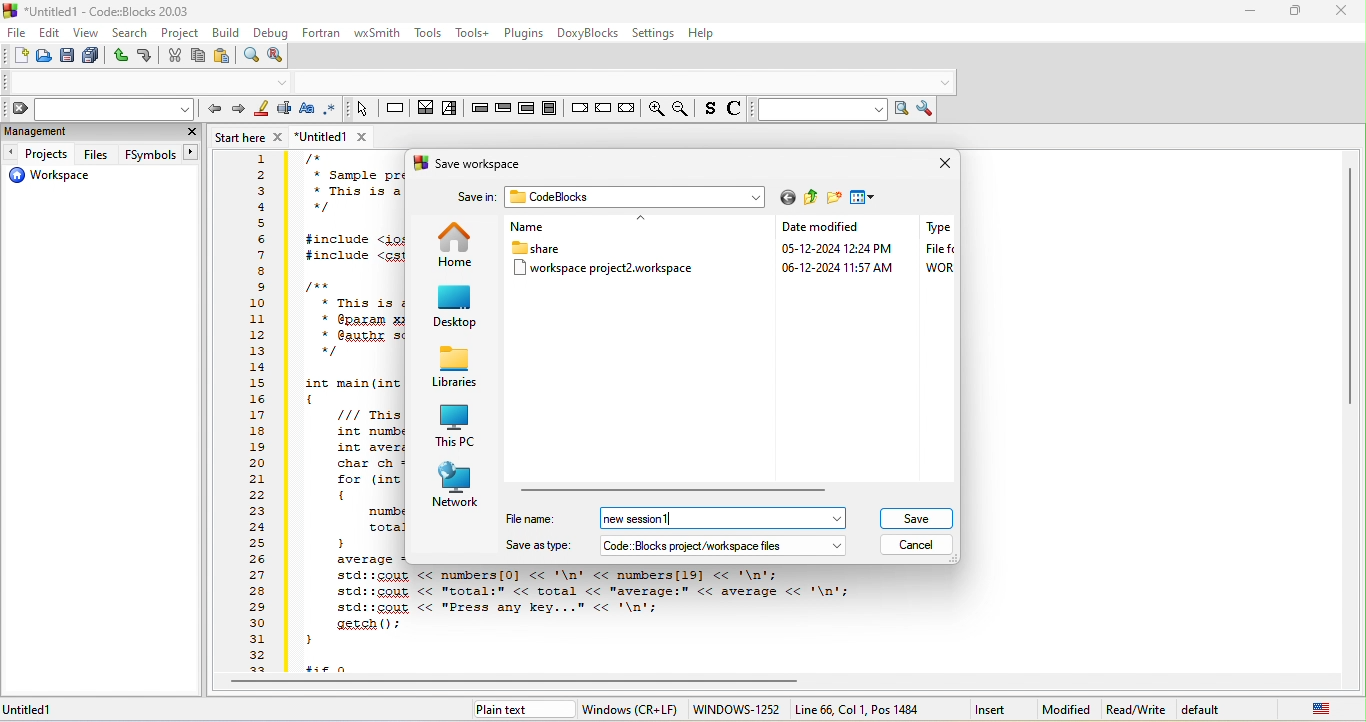 This screenshot has height=722, width=1366. What do you see at coordinates (556, 224) in the screenshot?
I see `name` at bounding box center [556, 224].